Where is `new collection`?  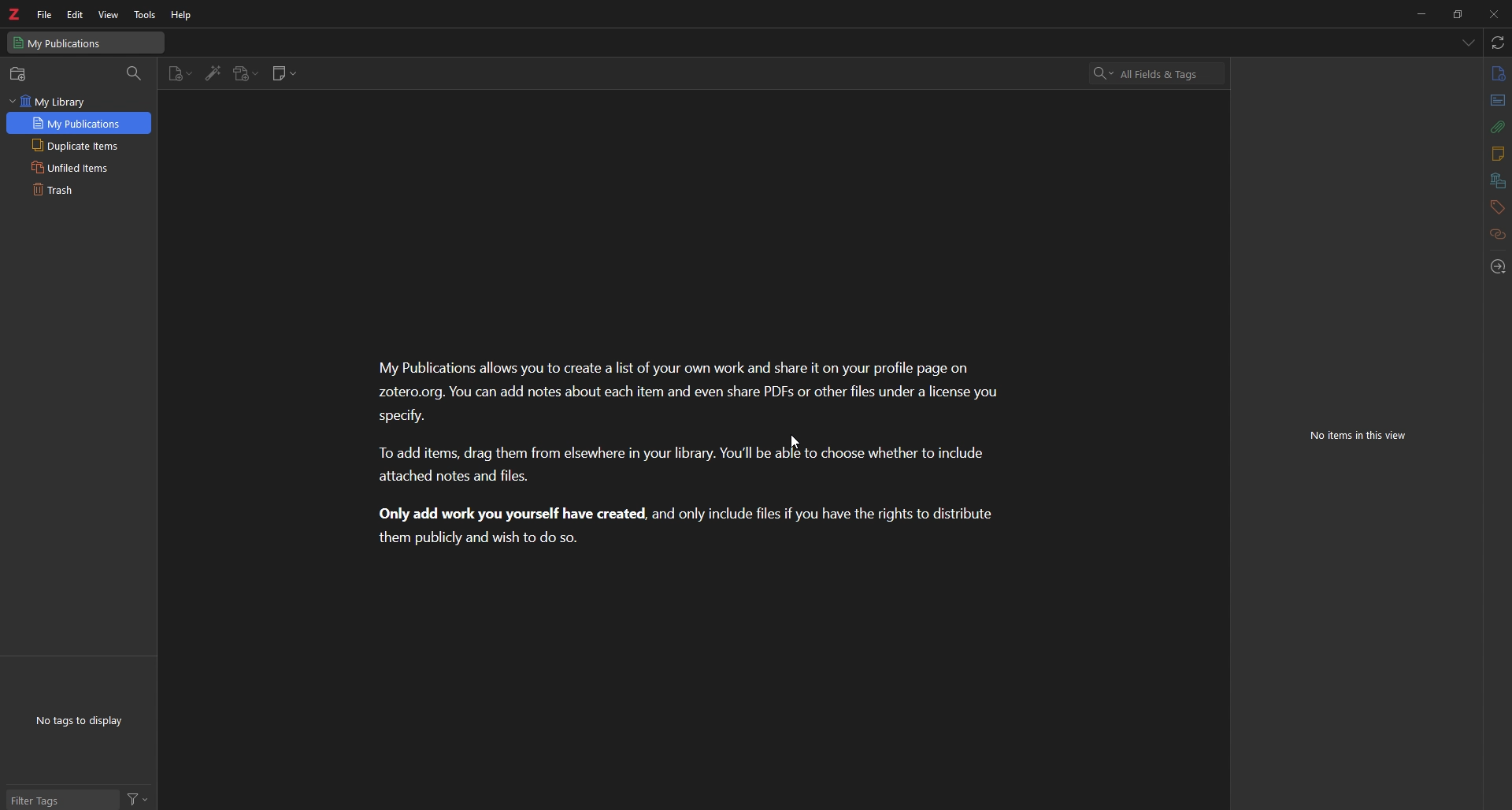 new collection is located at coordinates (19, 74).